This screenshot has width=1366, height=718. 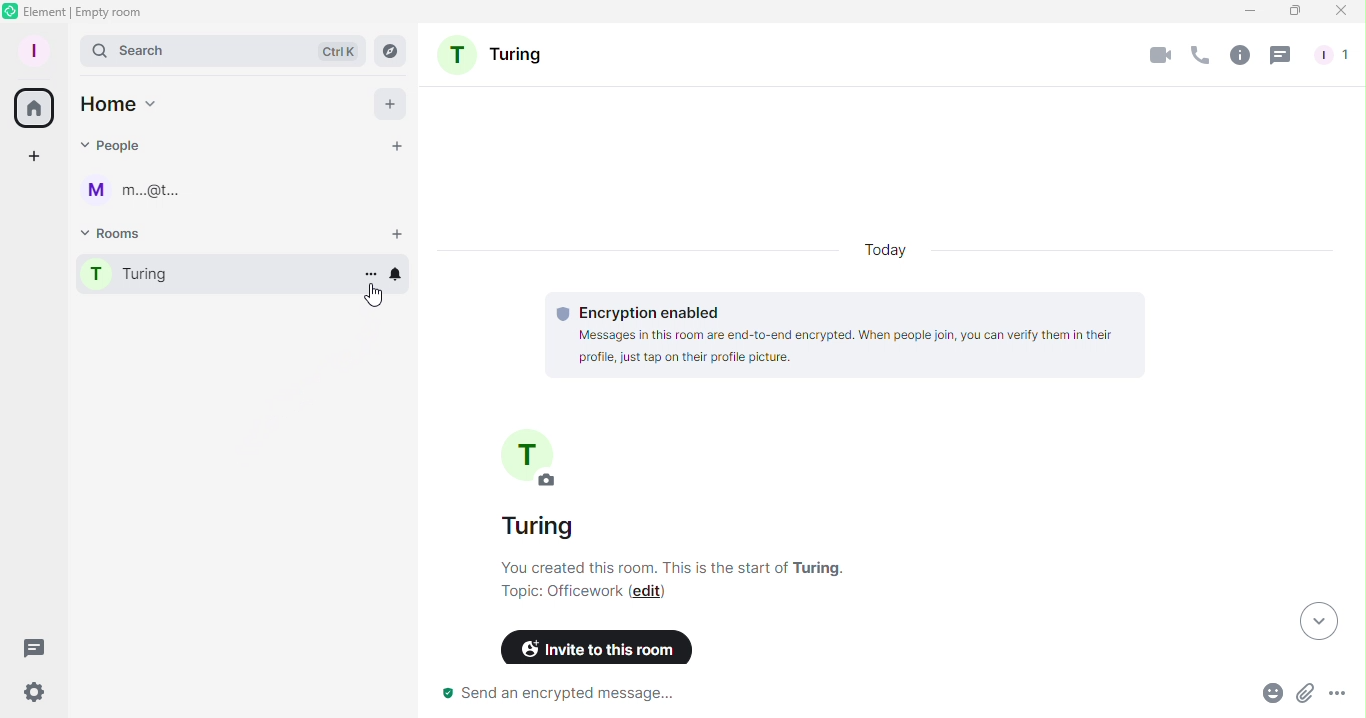 I want to click on People, so click(x=114, y=147).